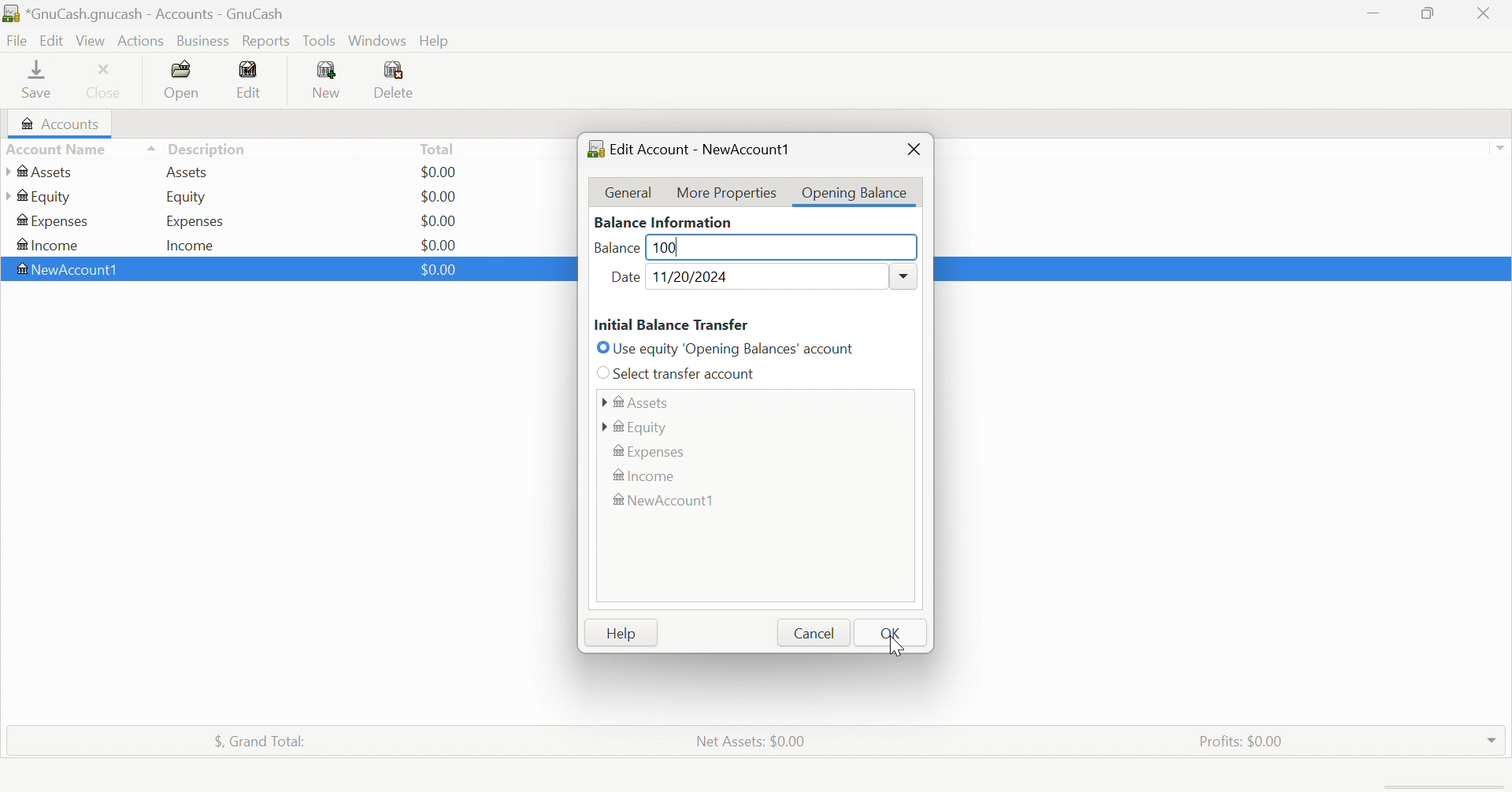 This screenshot has height=792, width=1512. I want to click on Tools, so click(321, 39).